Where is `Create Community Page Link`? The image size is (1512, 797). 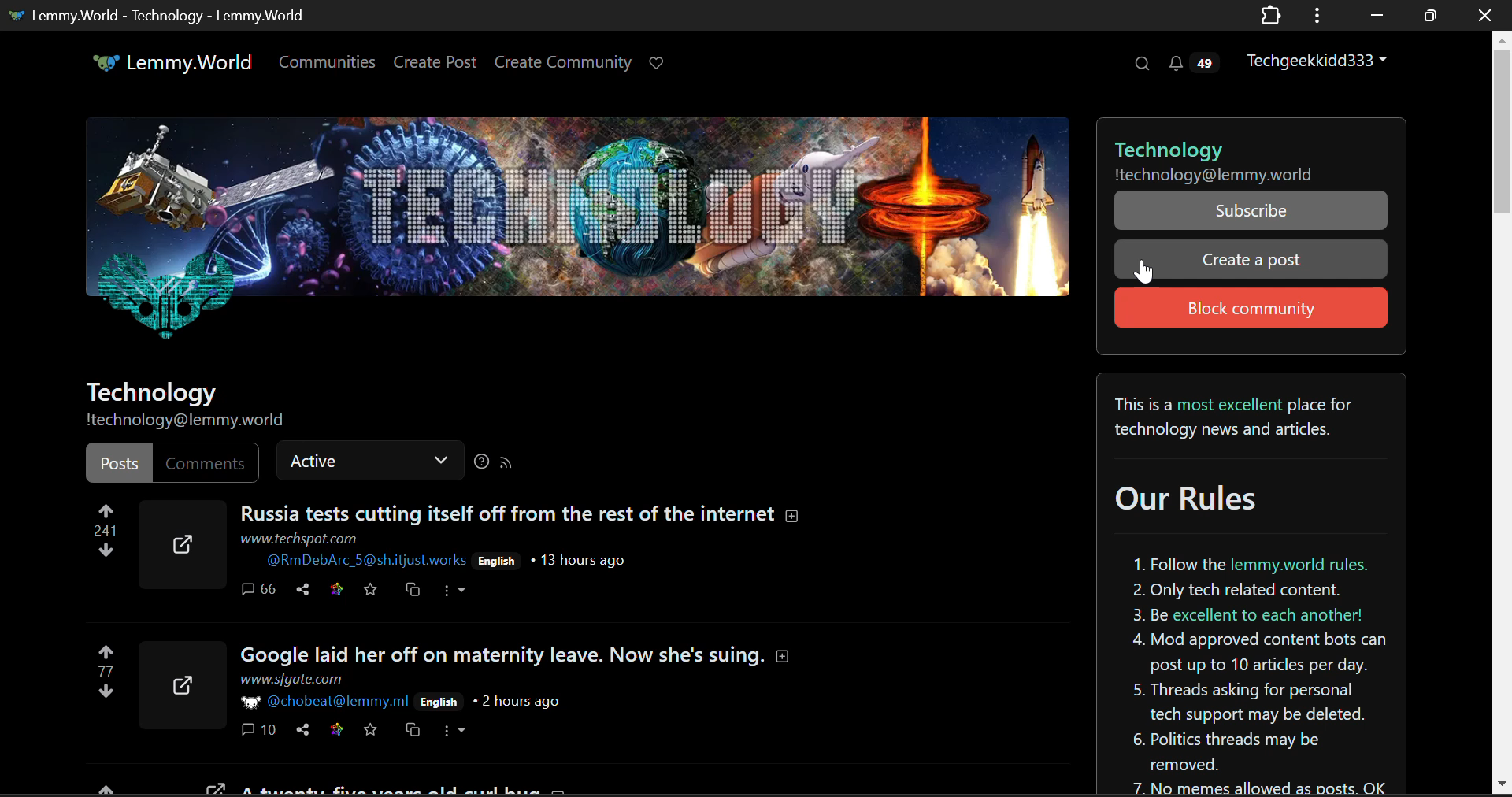
Create Community Page Link is located at coordinates (563, 61).